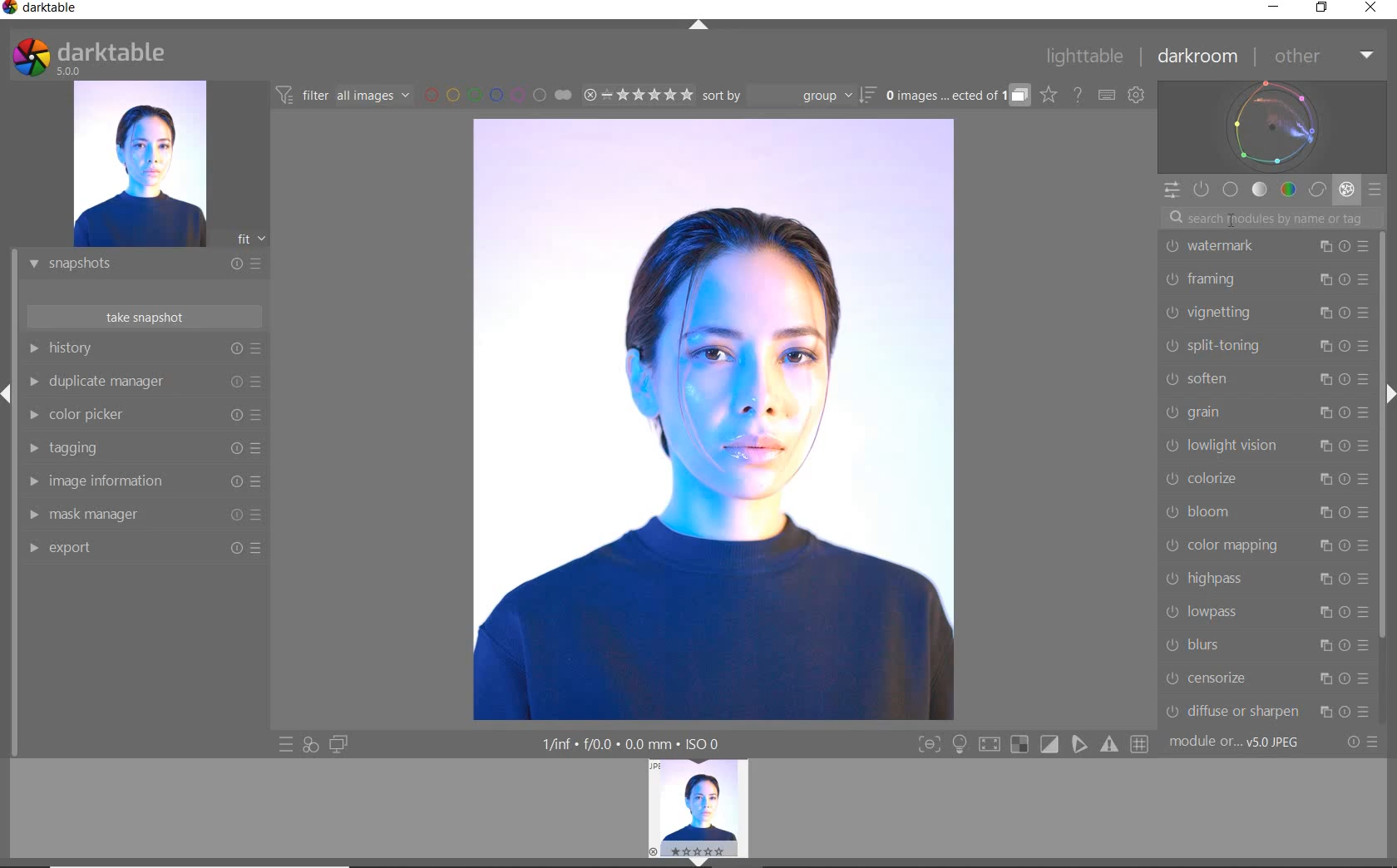 This screenshot has height=868, width=1397. I want to click on TAGGING, so click(141, 449).